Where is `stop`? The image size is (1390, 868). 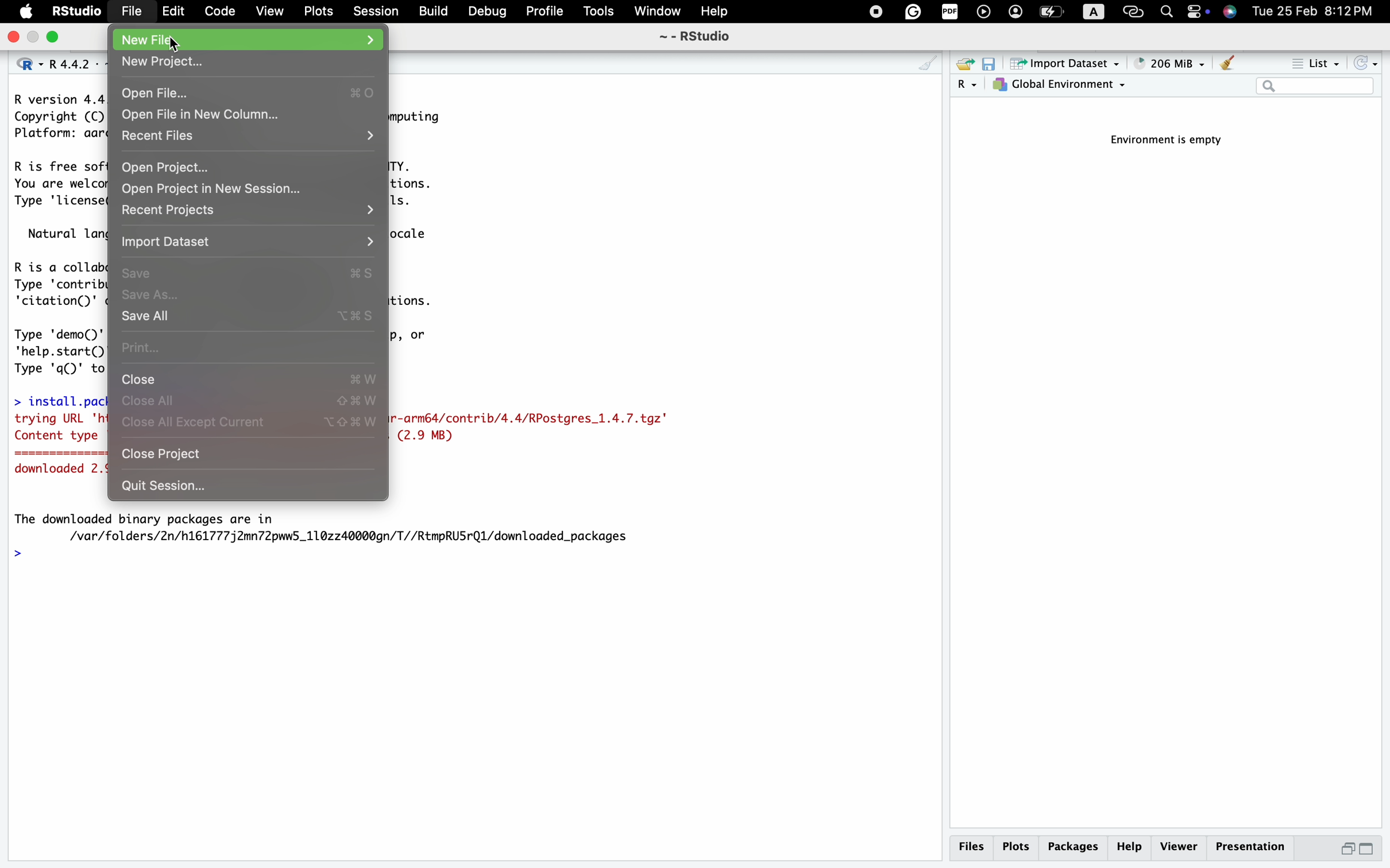 stop is located at coordinates (872, 11).